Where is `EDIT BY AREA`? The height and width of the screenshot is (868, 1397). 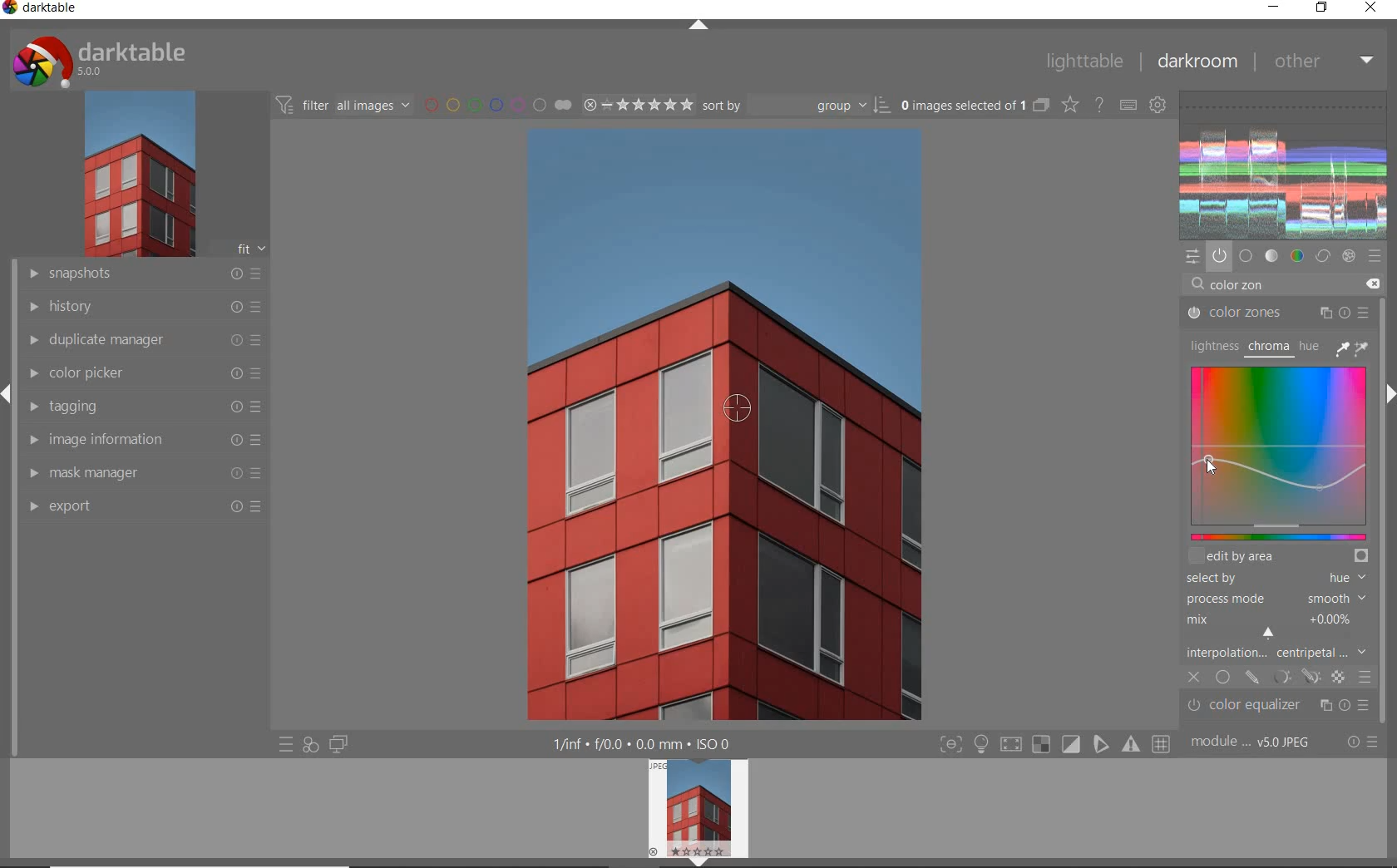 EDIT BY AREA is located at coordinates (1278, 557).